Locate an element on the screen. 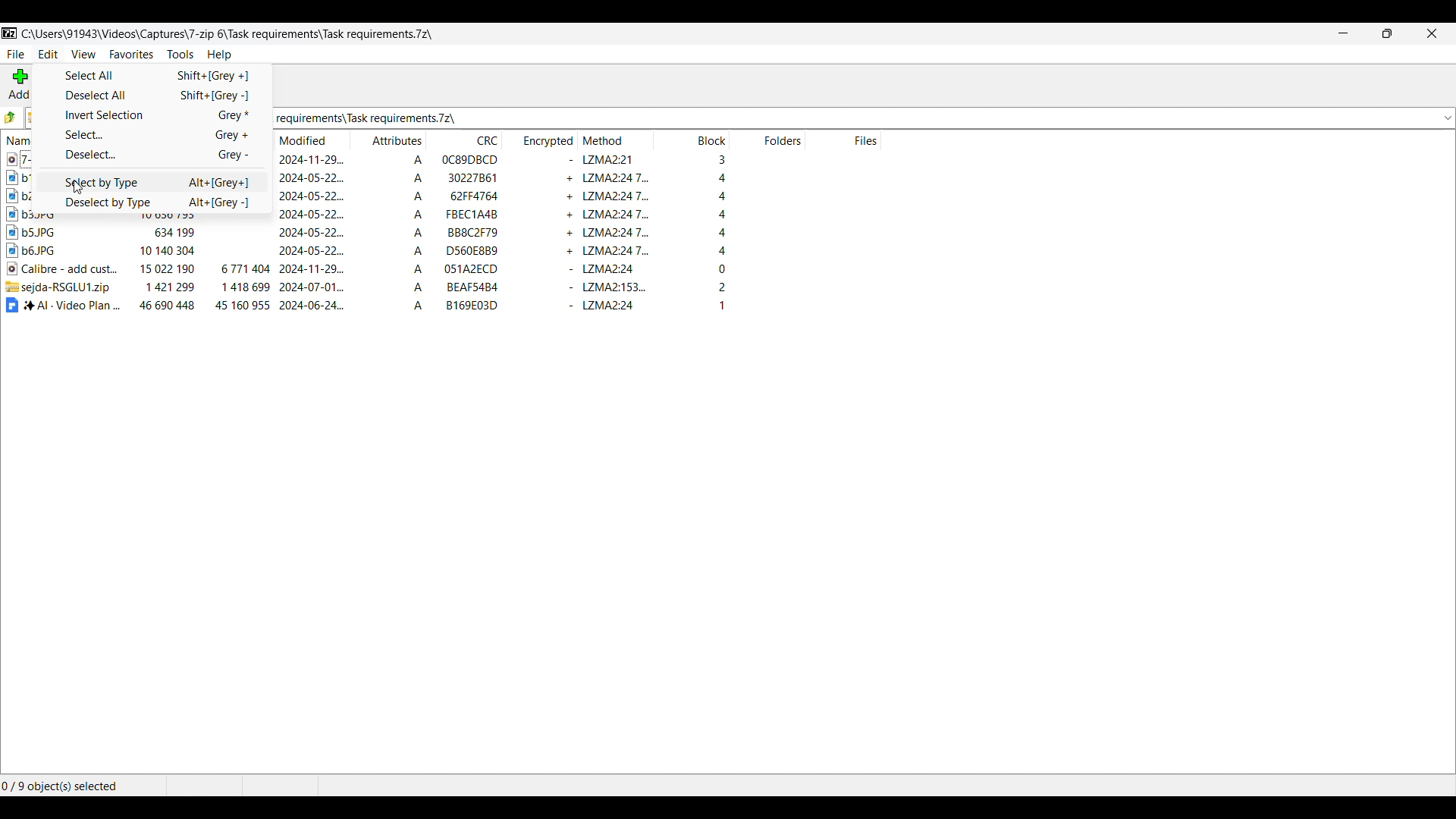  Favorites menu is located at coordinates (131, 55).